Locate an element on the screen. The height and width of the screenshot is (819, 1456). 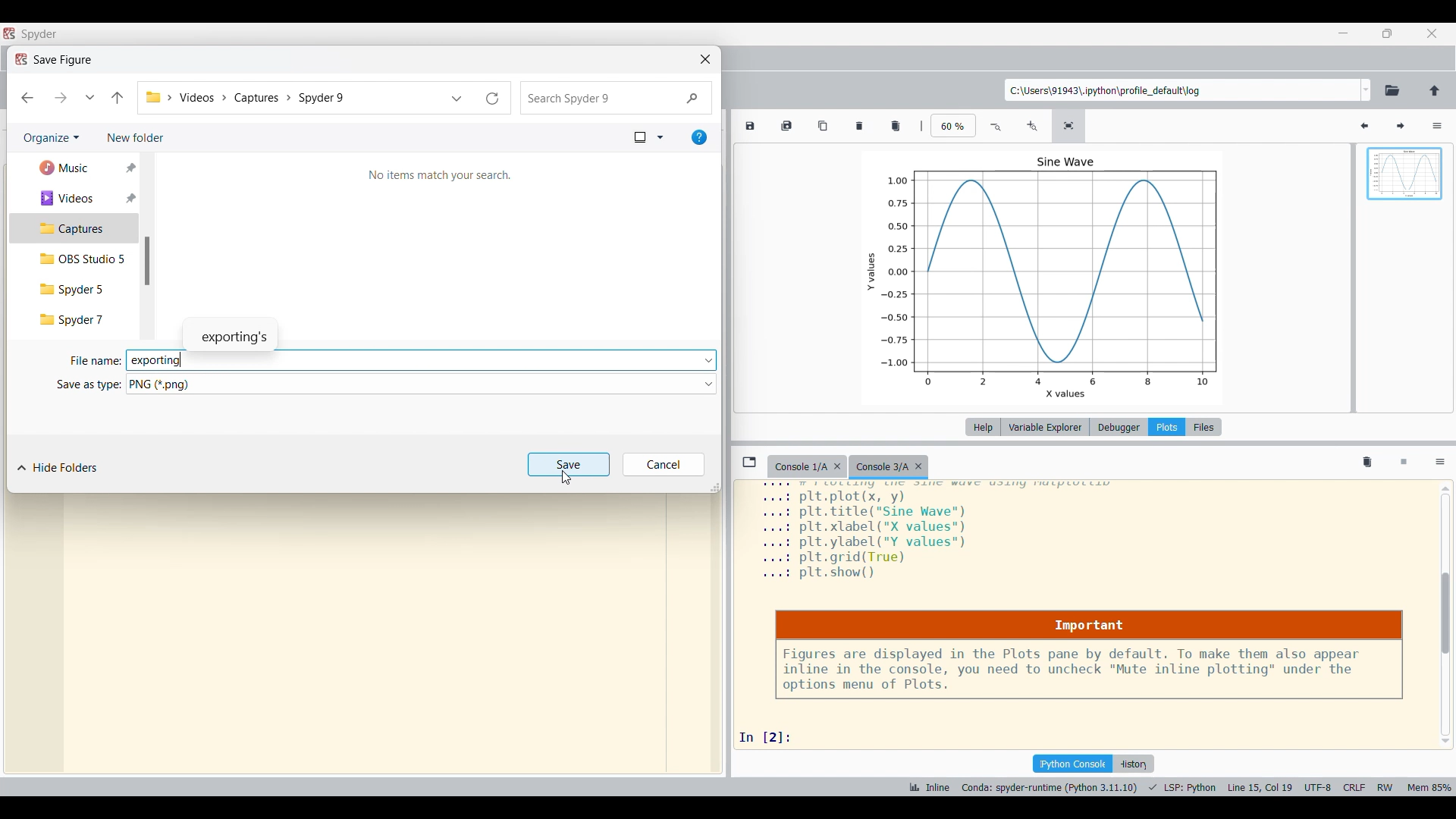
Captures, current selection highlighted is located at coordinates (74, 228).